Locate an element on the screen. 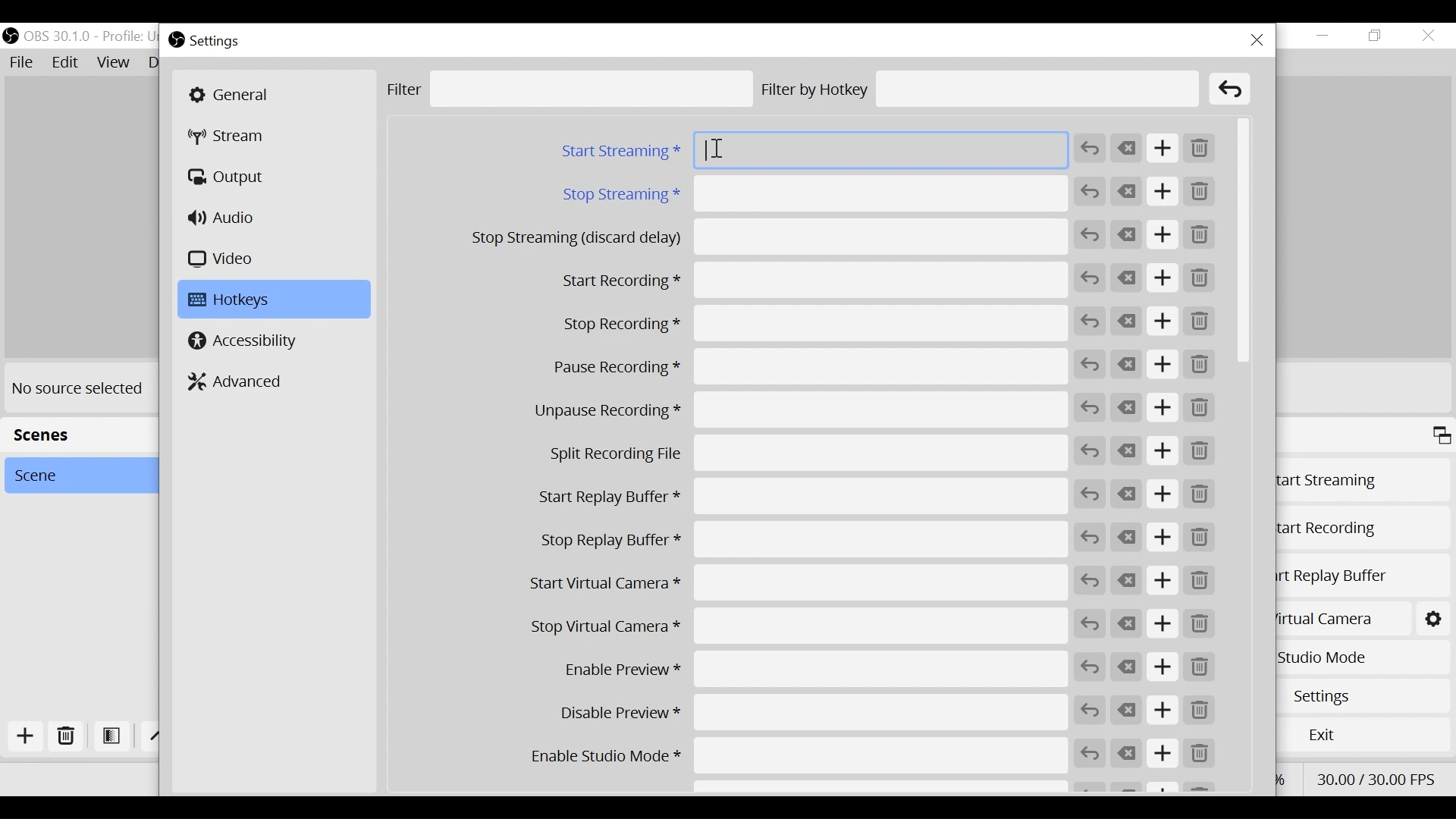 Image resolution: width=1456 pixels, height=819 pixels. Remove is located at coordinates (1199, 151).